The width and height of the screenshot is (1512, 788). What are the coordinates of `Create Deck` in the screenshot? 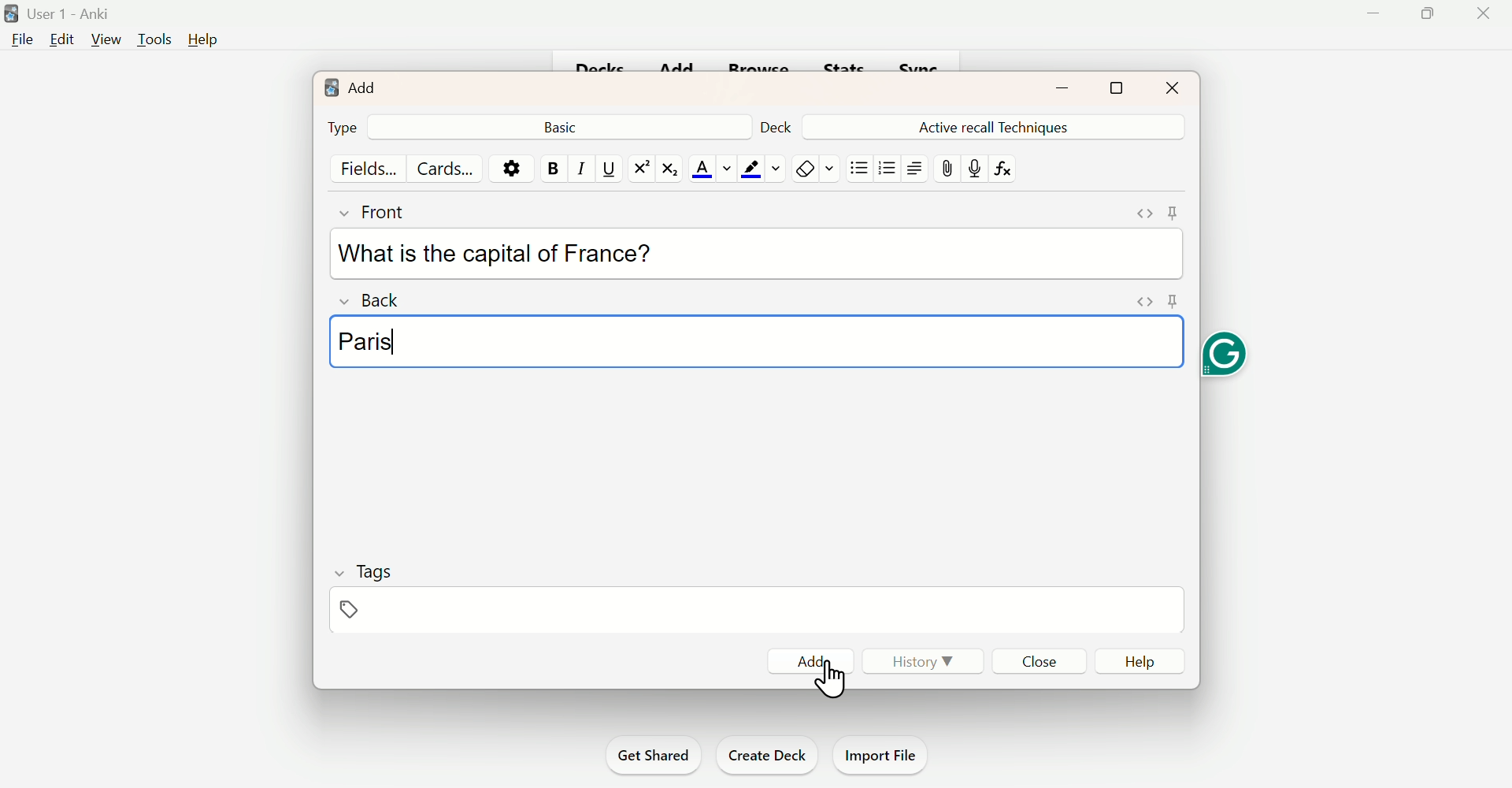 It's located at (768, 754).